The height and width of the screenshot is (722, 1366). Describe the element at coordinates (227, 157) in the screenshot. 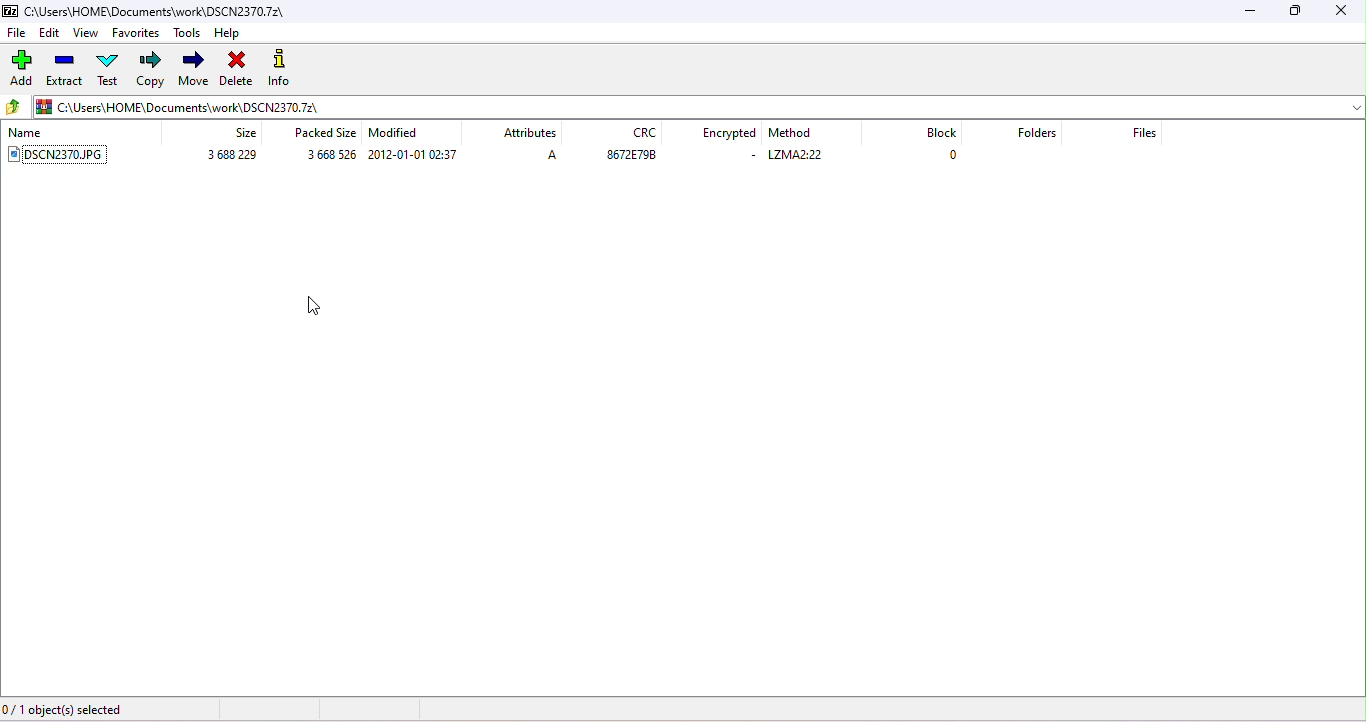

I see `size of the document` at that location.